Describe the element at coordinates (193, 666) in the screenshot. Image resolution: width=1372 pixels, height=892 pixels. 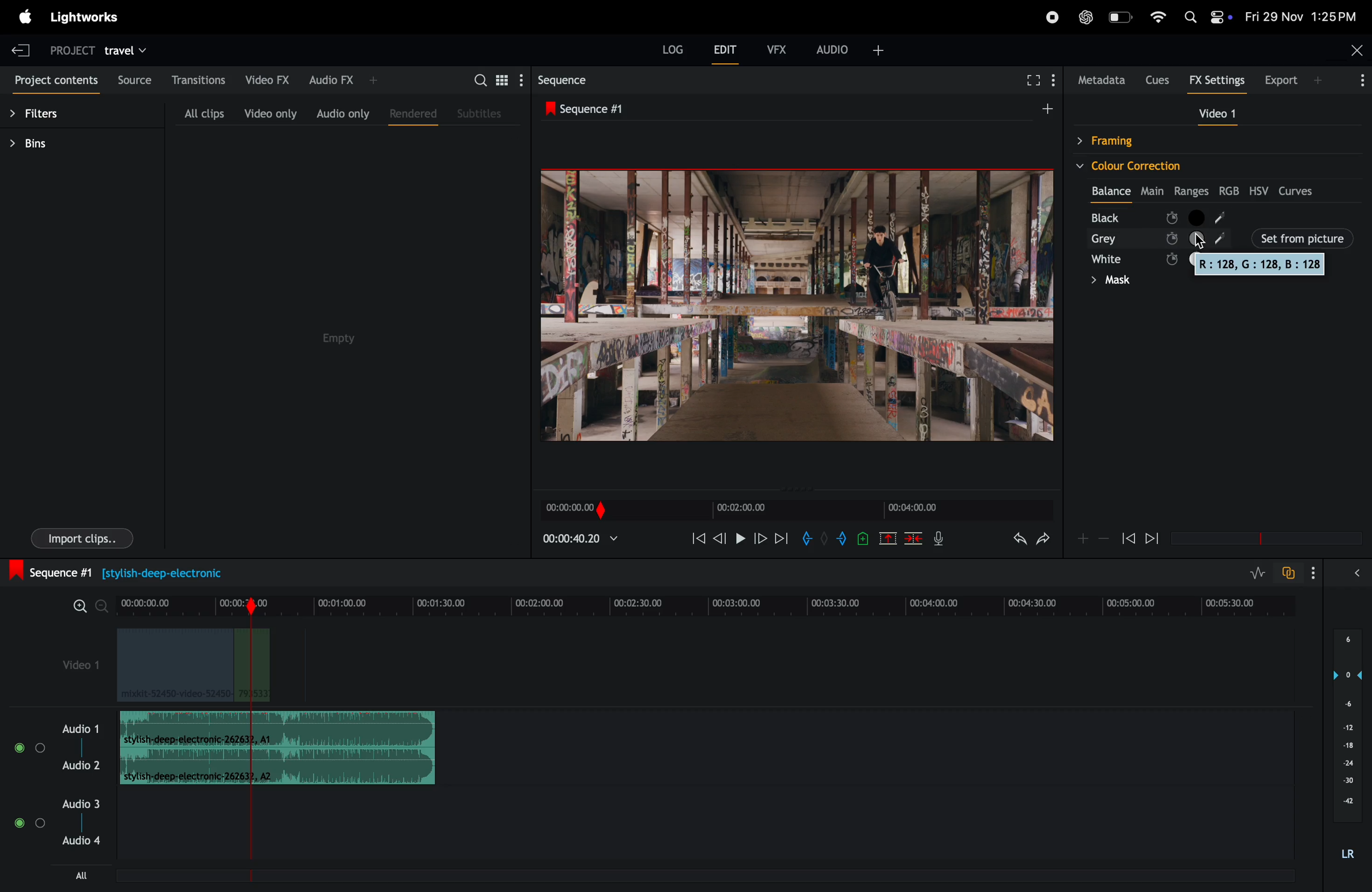
I see `video clips` at that location.